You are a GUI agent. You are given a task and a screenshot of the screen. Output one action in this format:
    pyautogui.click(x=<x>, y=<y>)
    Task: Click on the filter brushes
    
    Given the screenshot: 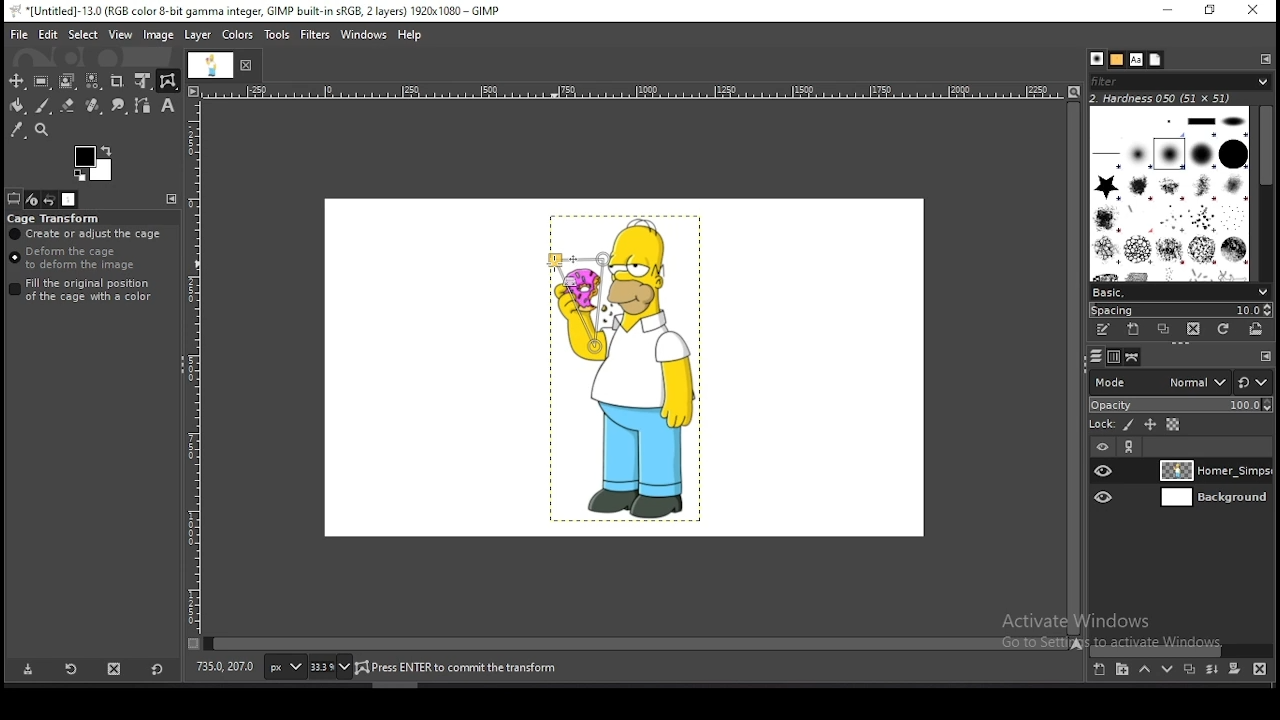 What is the action you would take?
    pyautogui.click(x=1181, y=83)
    